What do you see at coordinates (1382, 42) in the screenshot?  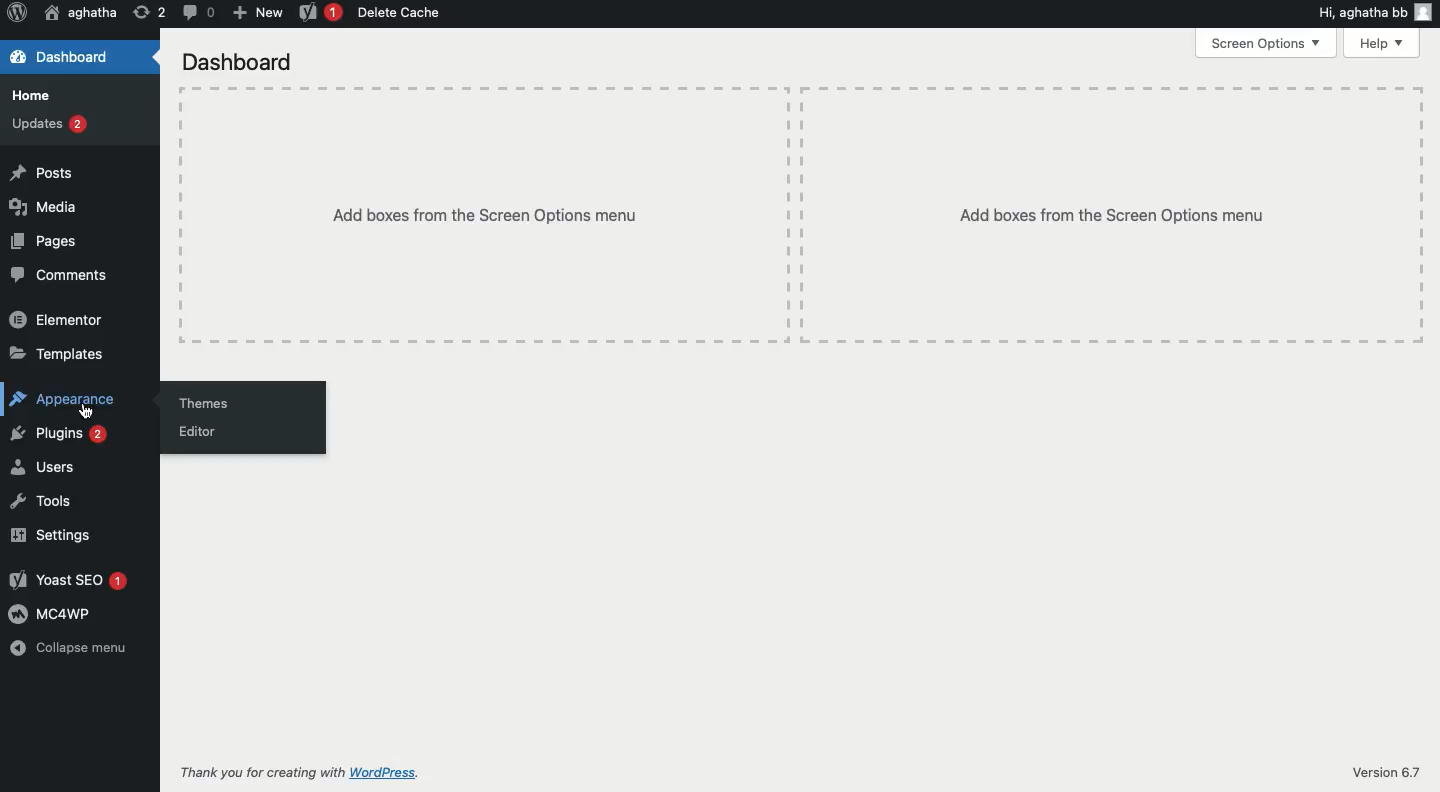 I see `Help` at bounding box center [1382, 42].